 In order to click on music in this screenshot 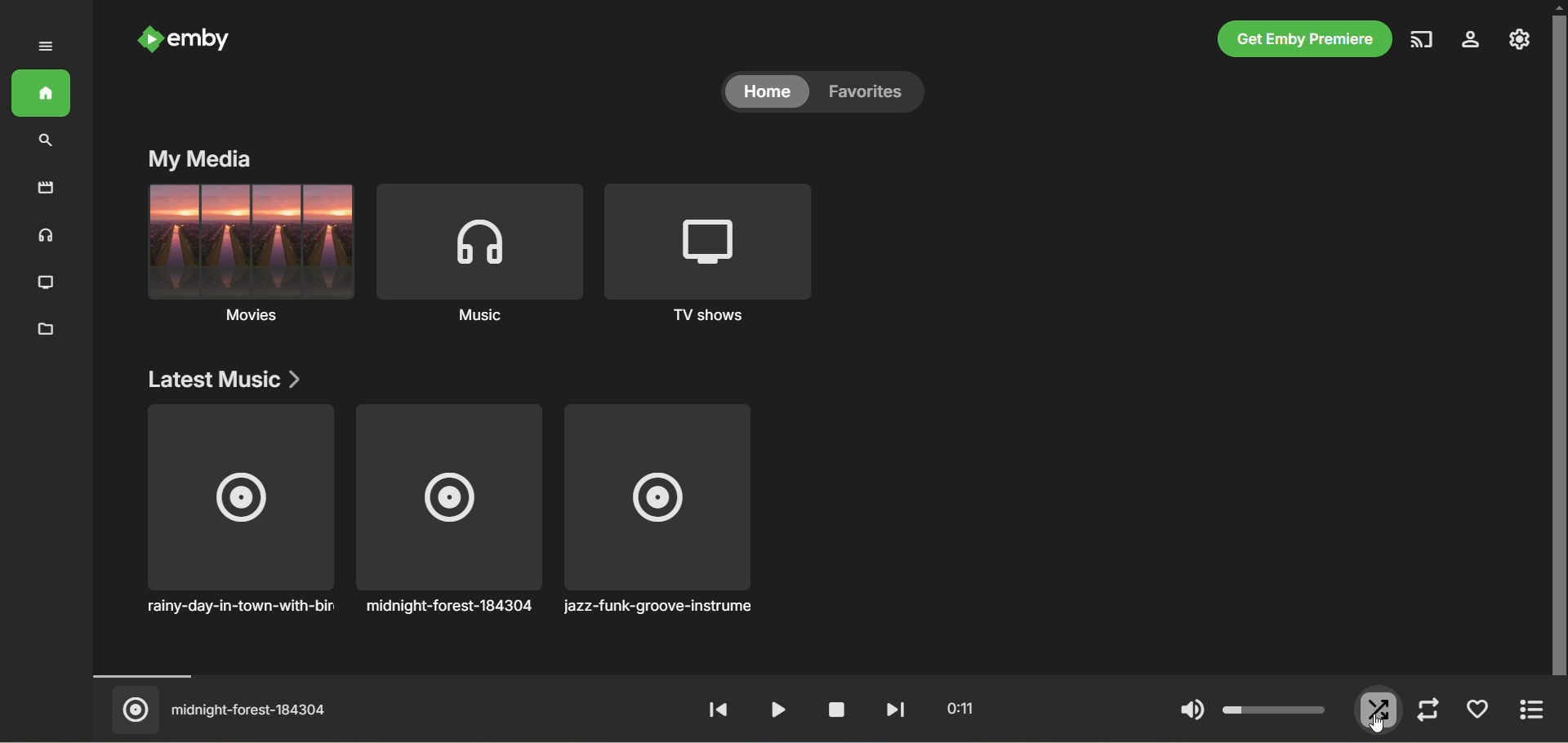, I will do `click(42, 236)`.